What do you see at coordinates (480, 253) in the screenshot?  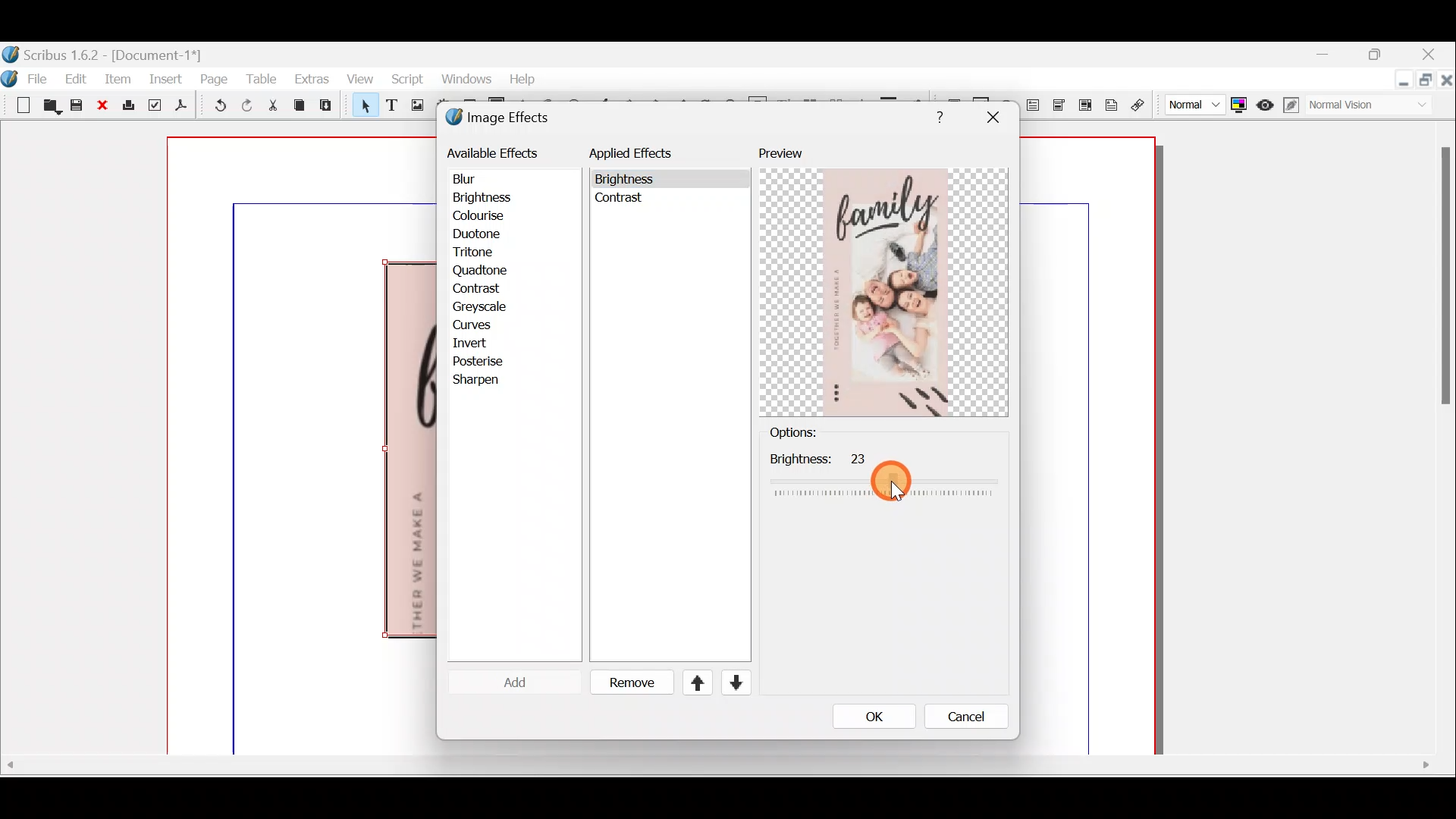 I see `Tritone` at bounding box center [480, 253].